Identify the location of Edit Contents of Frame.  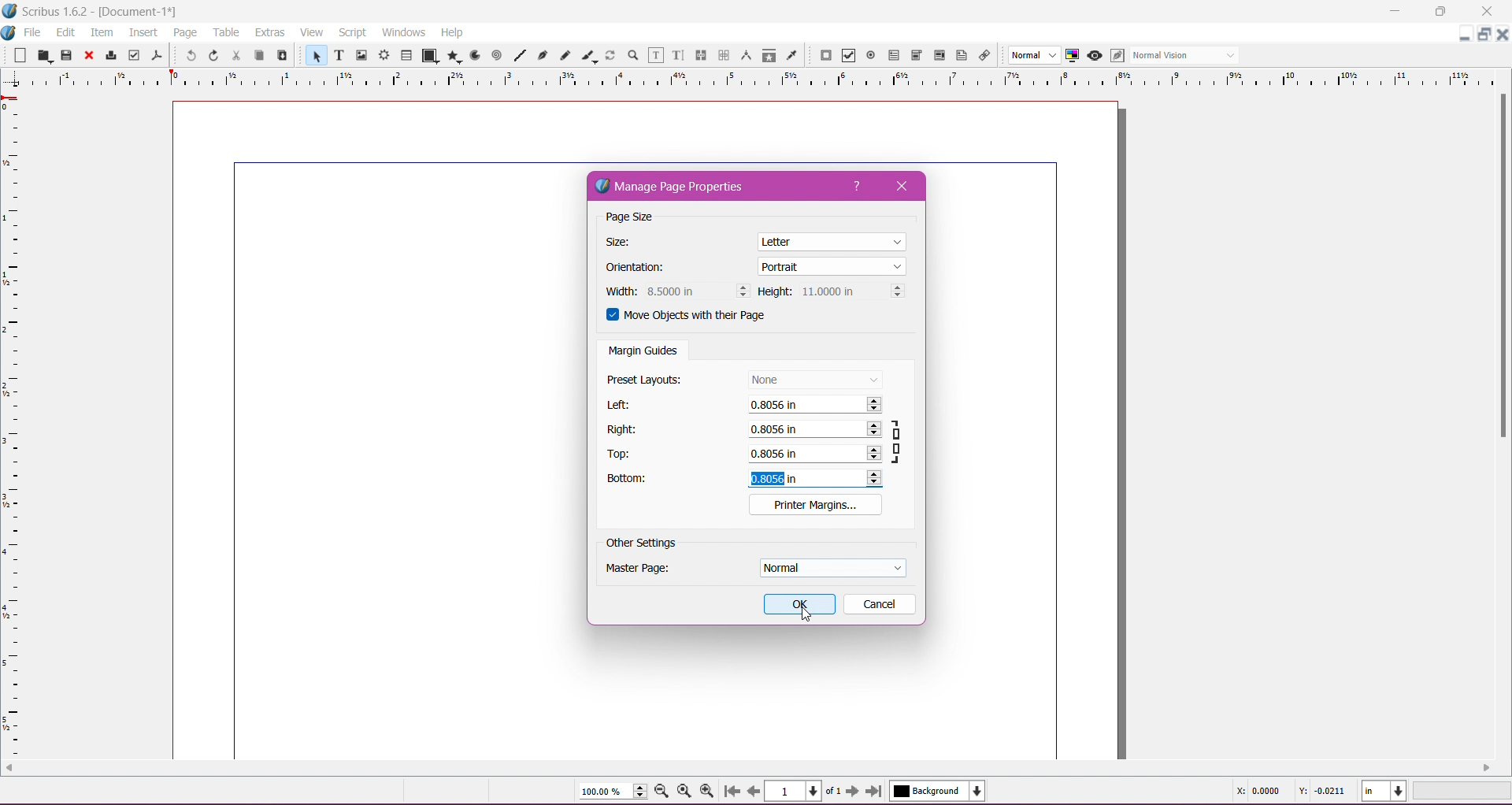
(654, 56).